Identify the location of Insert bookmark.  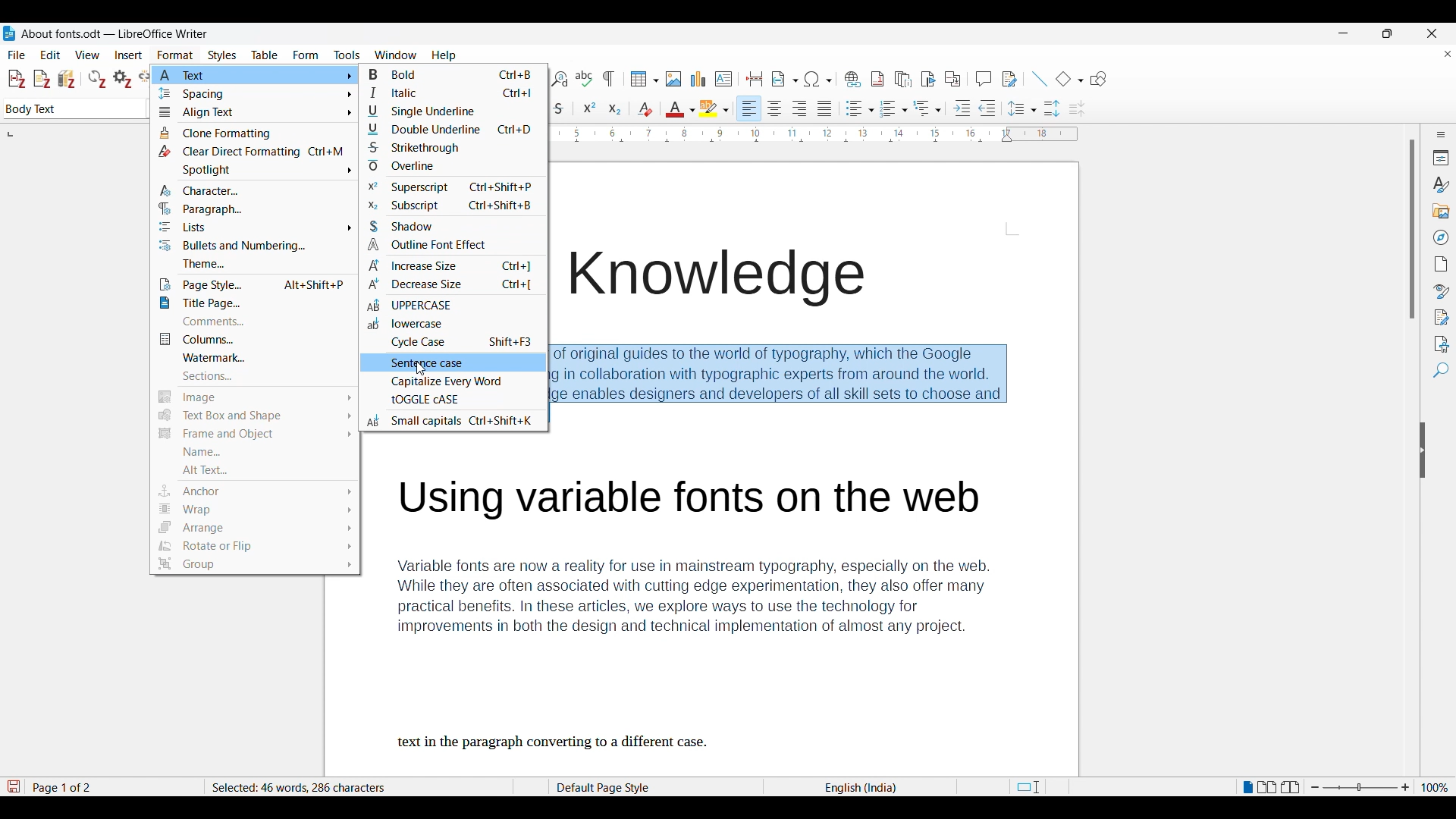
(928, 80).